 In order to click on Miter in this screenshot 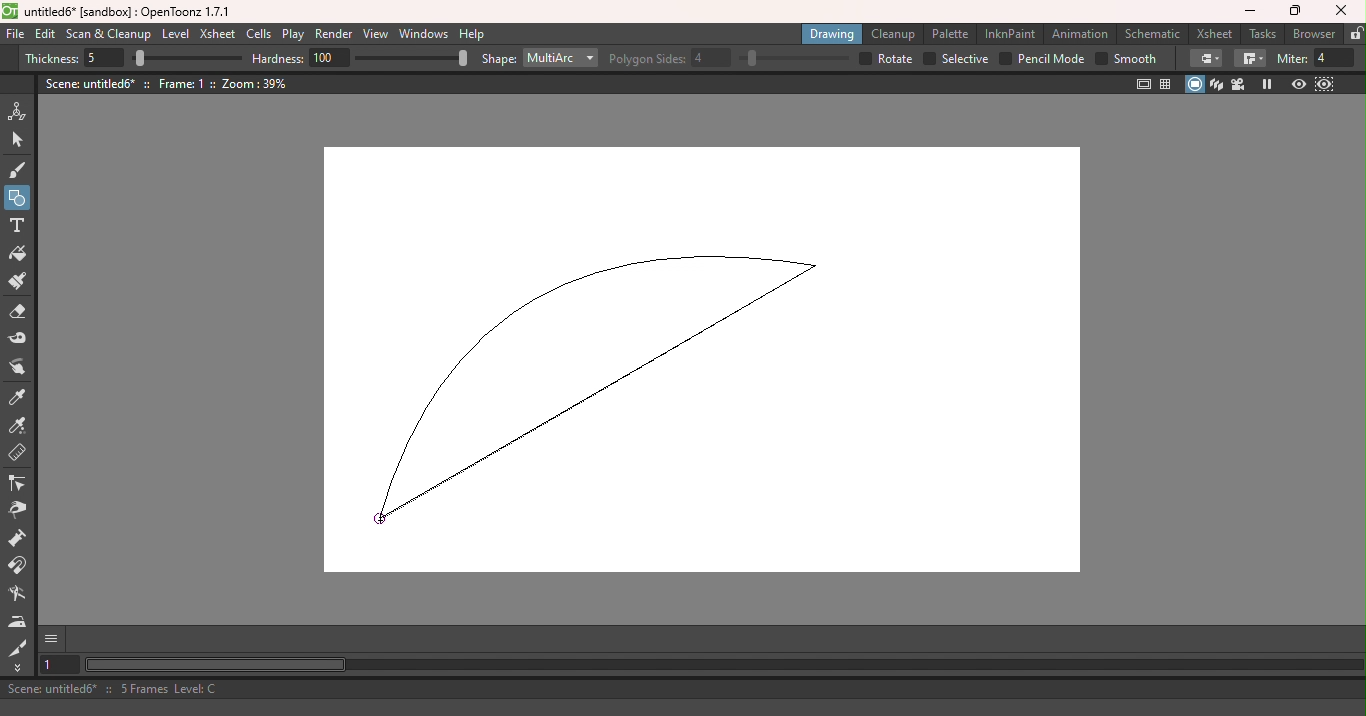, I will do `click(1316, 59)`.